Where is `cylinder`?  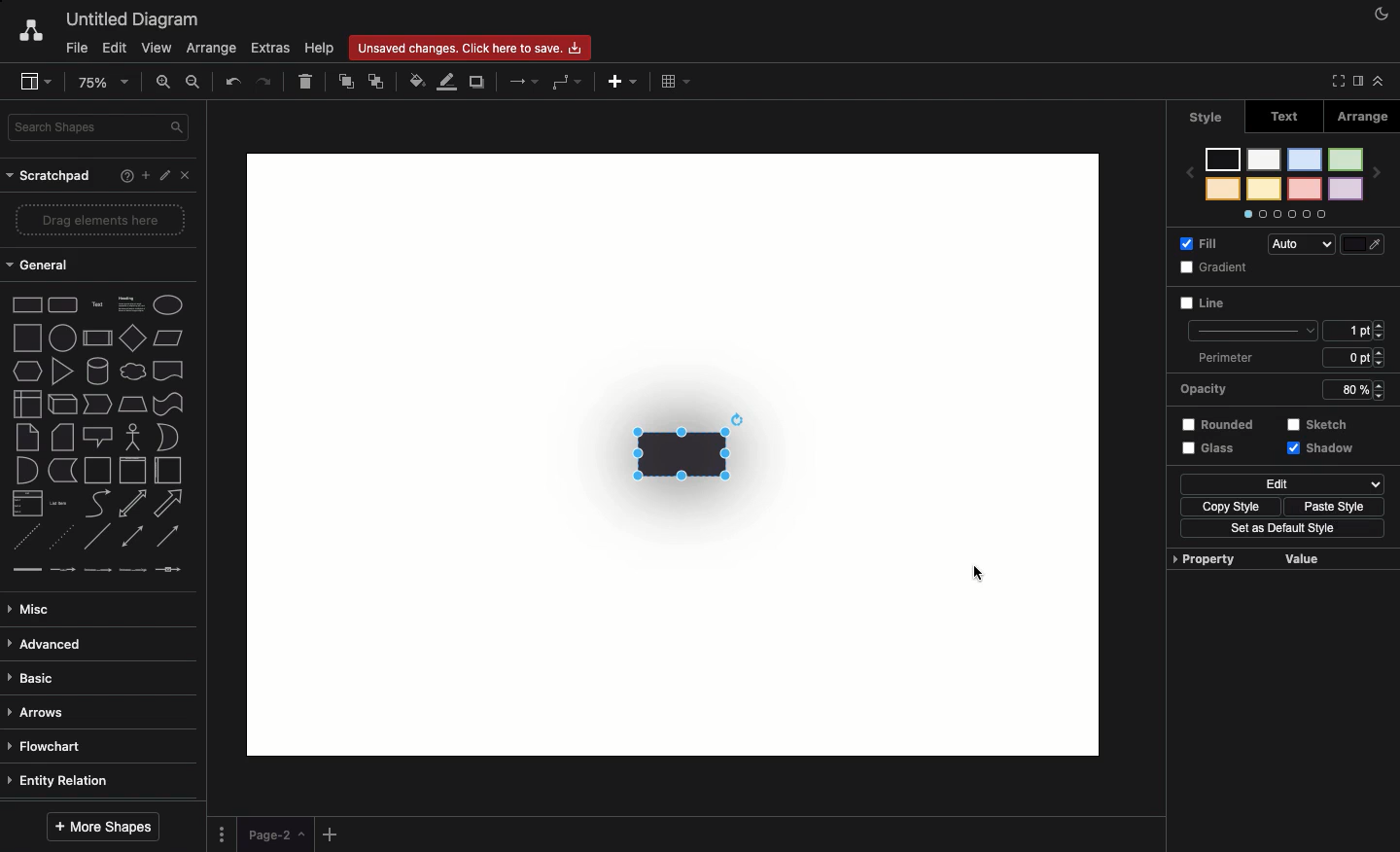
cylinder is located at coordinates (95, 372).